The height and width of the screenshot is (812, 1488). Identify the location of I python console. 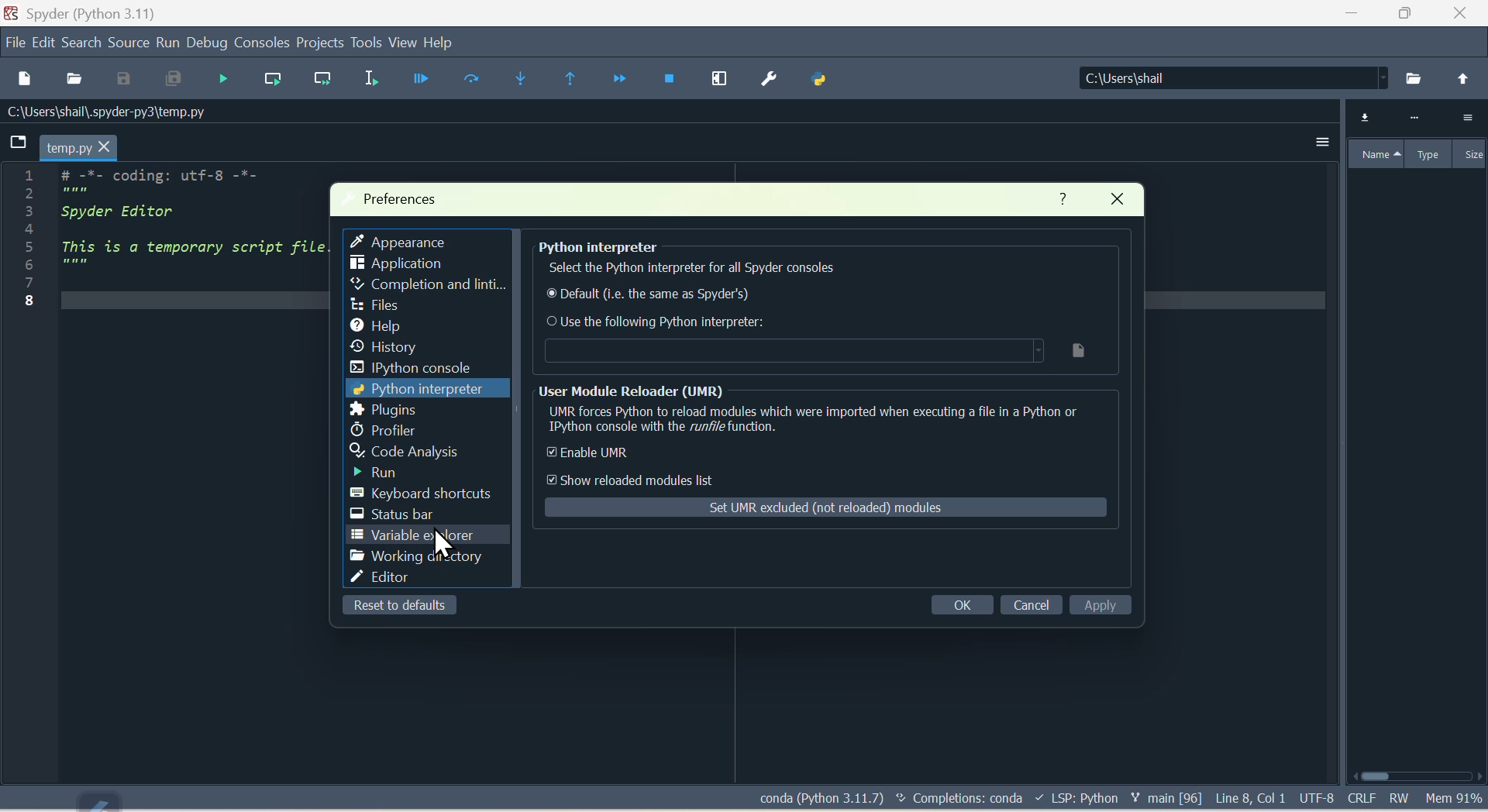
(413, 367).